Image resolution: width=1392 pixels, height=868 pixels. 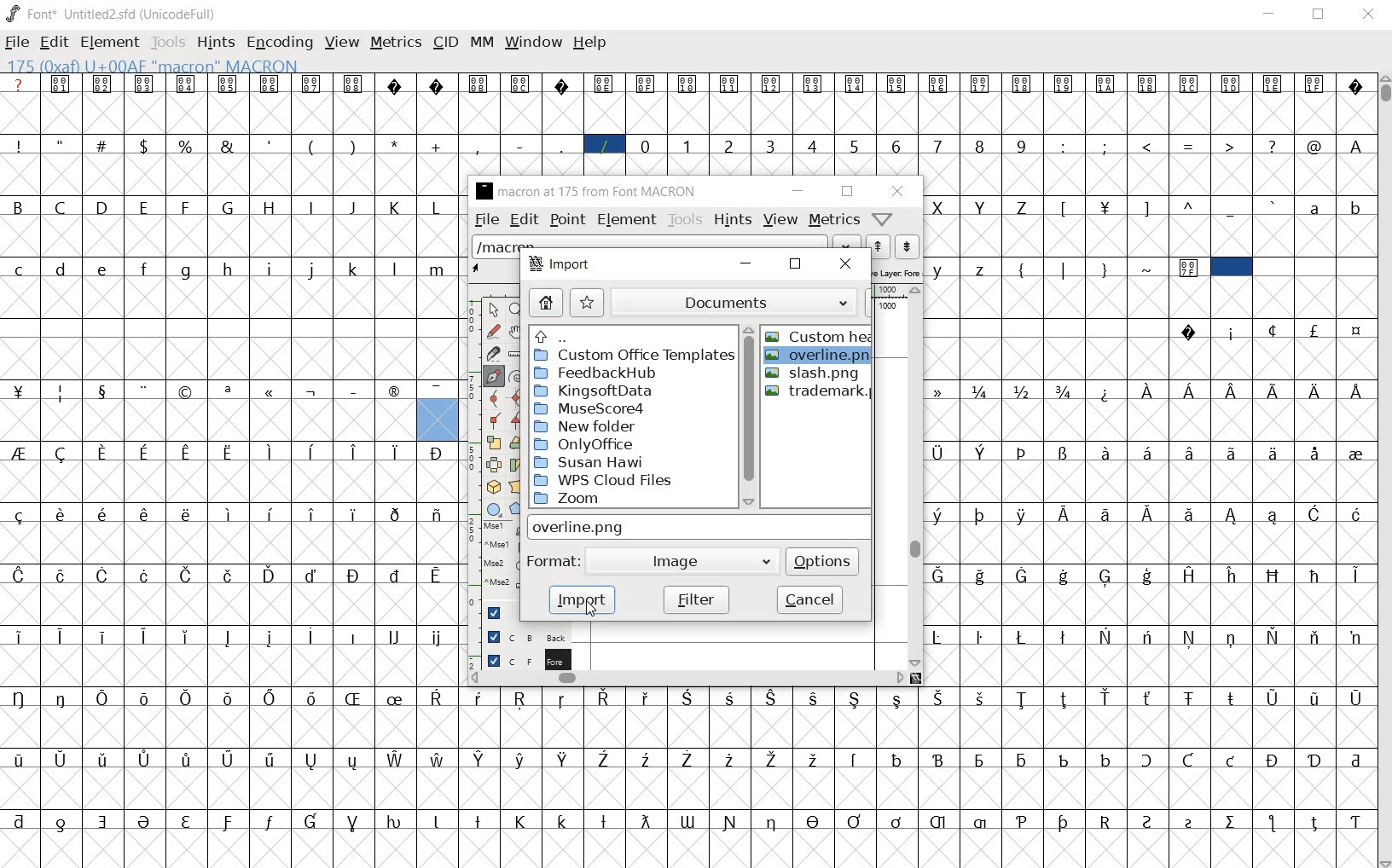 What do you see at coordinates (1354, 756) in the screenshot?
I see `Symbol` at bounding box center [1354, 756].